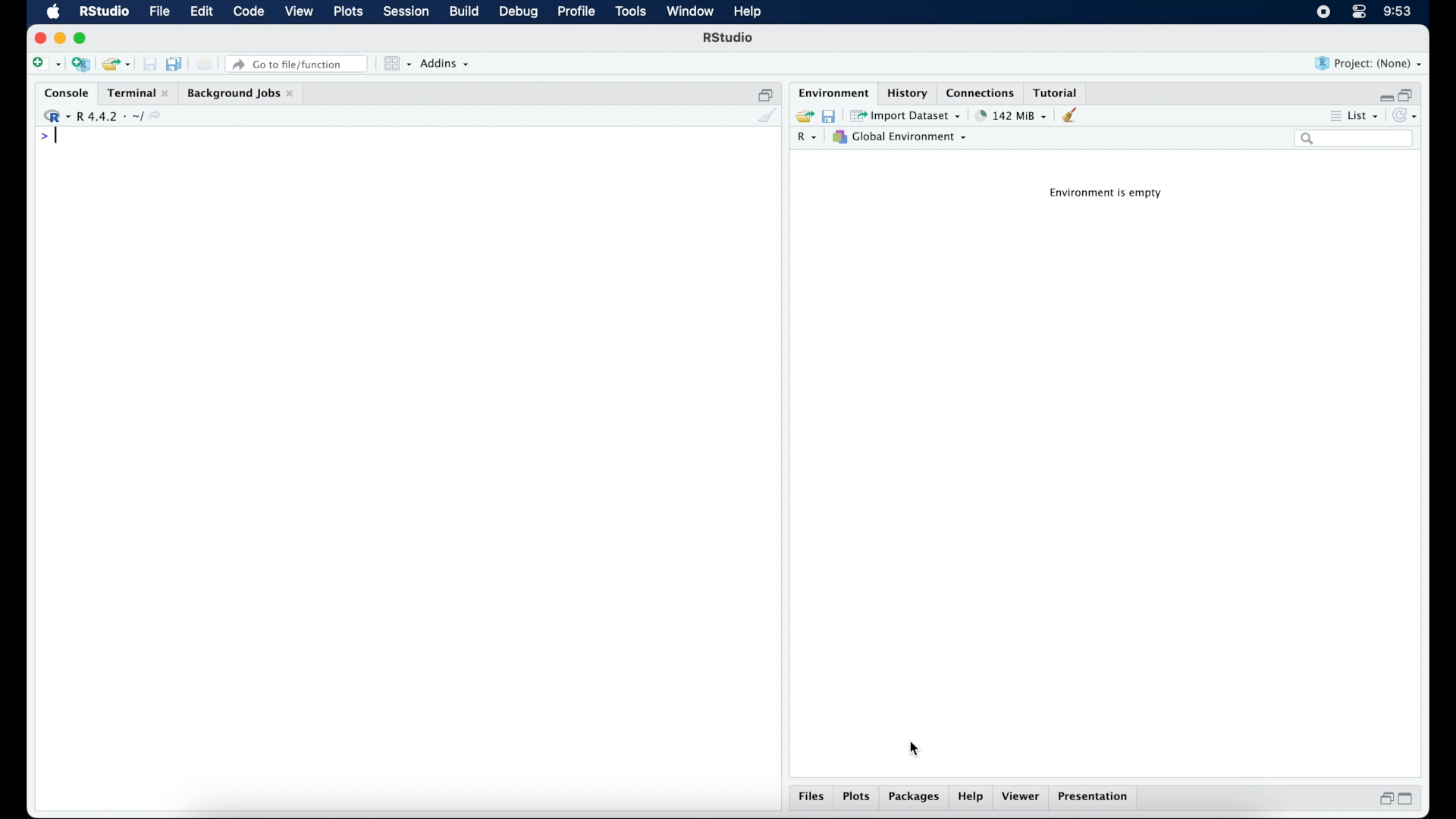 The height and width of the screenshot is (819, 1456). I want to click on tutorial, so click(1059, 92).